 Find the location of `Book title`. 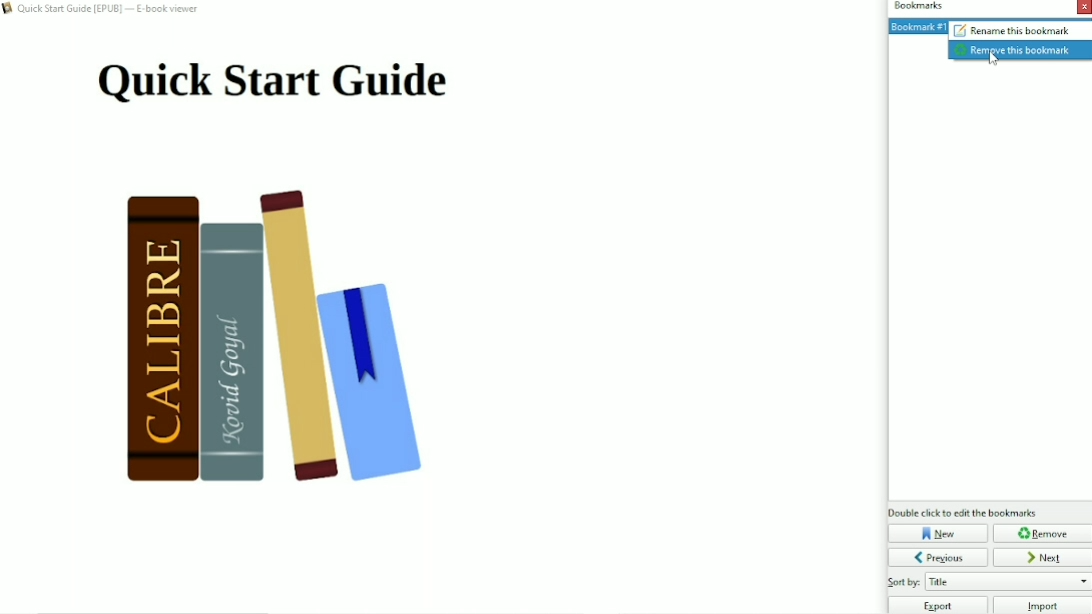

Book title is located at coordinates (112, 9).